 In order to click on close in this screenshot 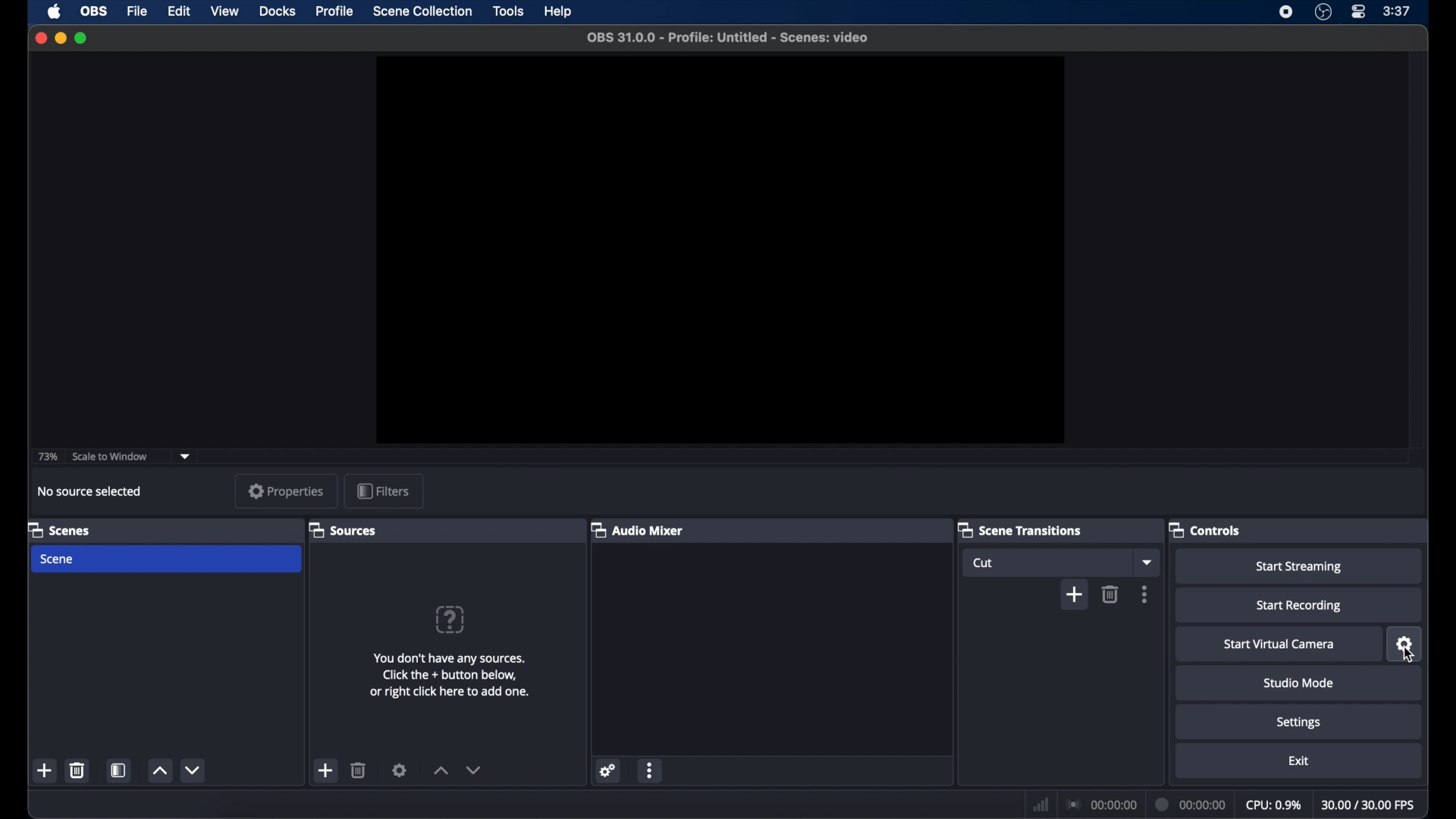, I will do `click(40, 38)`.